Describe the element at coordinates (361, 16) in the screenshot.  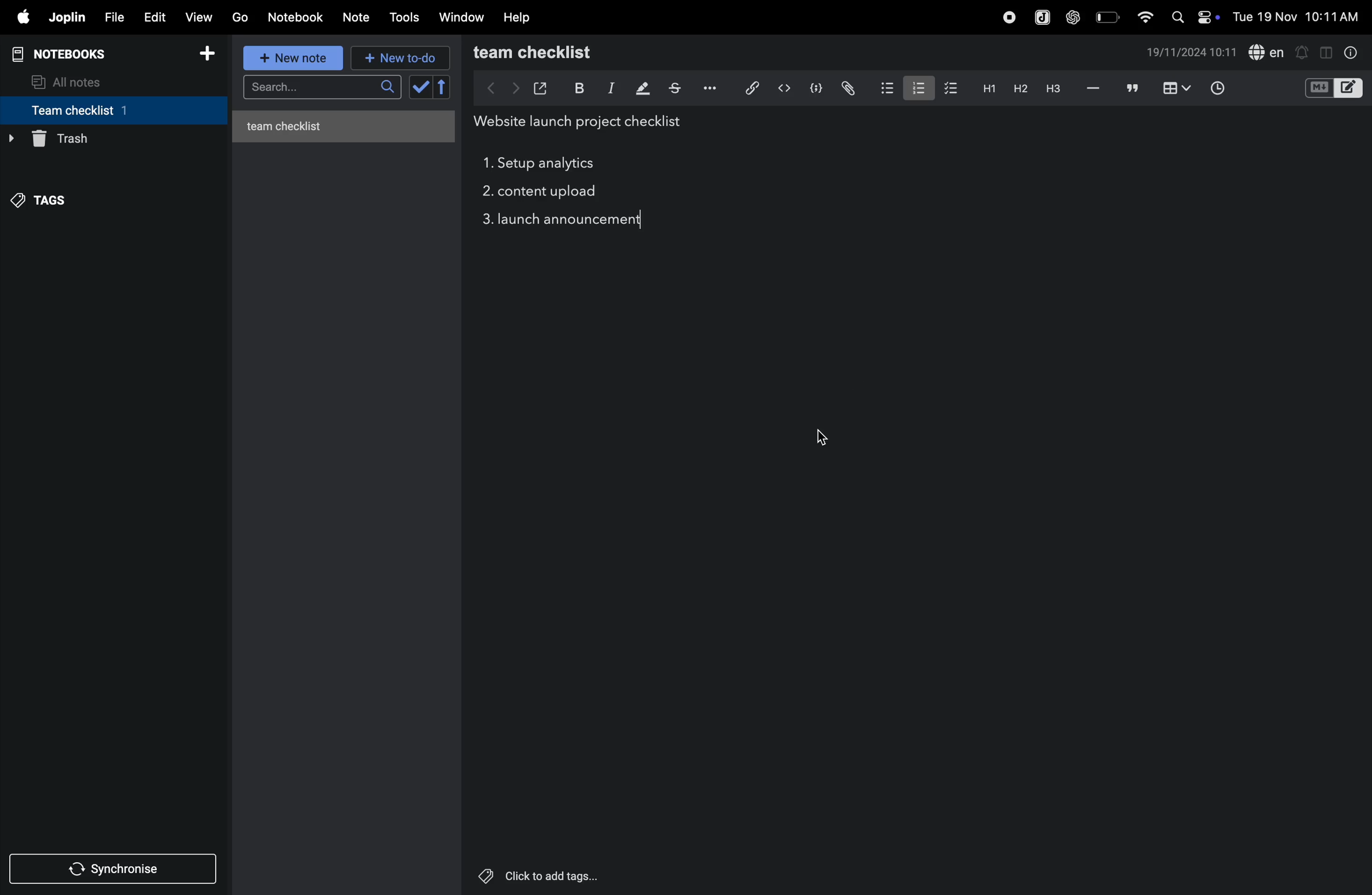
I see `note` at that location.